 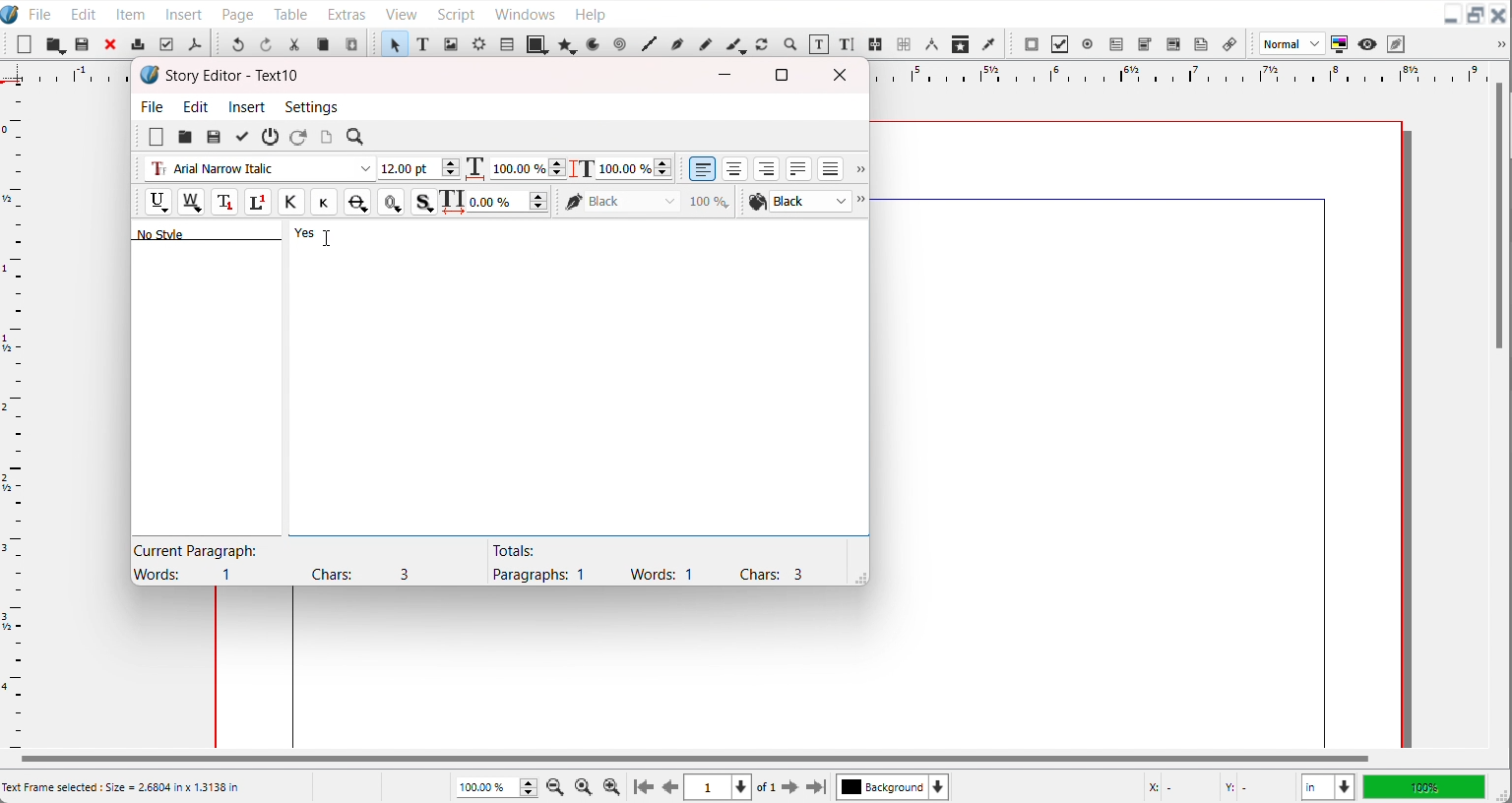 What do you see at coordinates (271, 137) in the screenshot?
I see `Exit without updating` at bounding box center [271, 137].